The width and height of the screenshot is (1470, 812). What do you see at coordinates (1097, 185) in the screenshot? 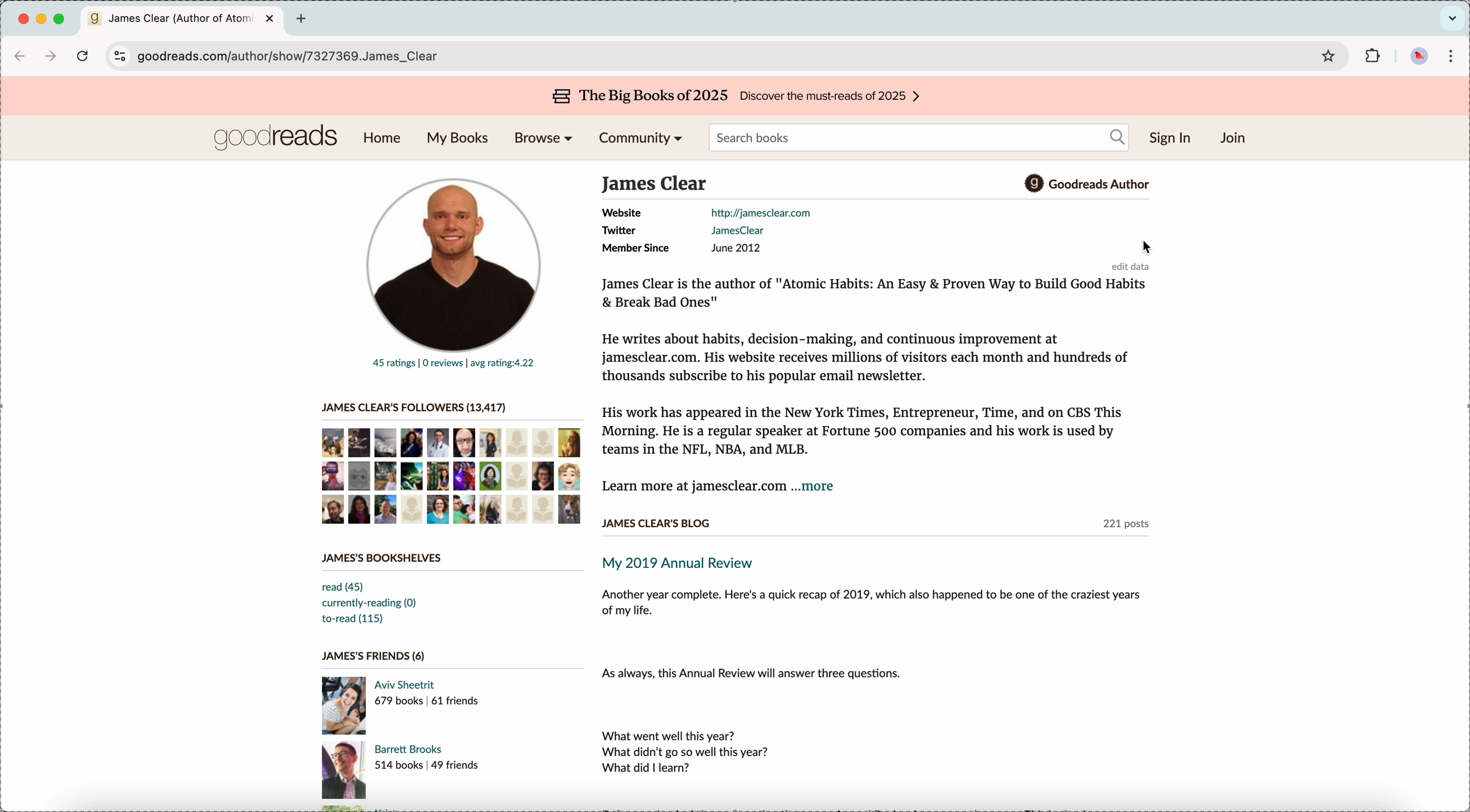
I see `Goodreads Author` at bounding box center [1097, 185].